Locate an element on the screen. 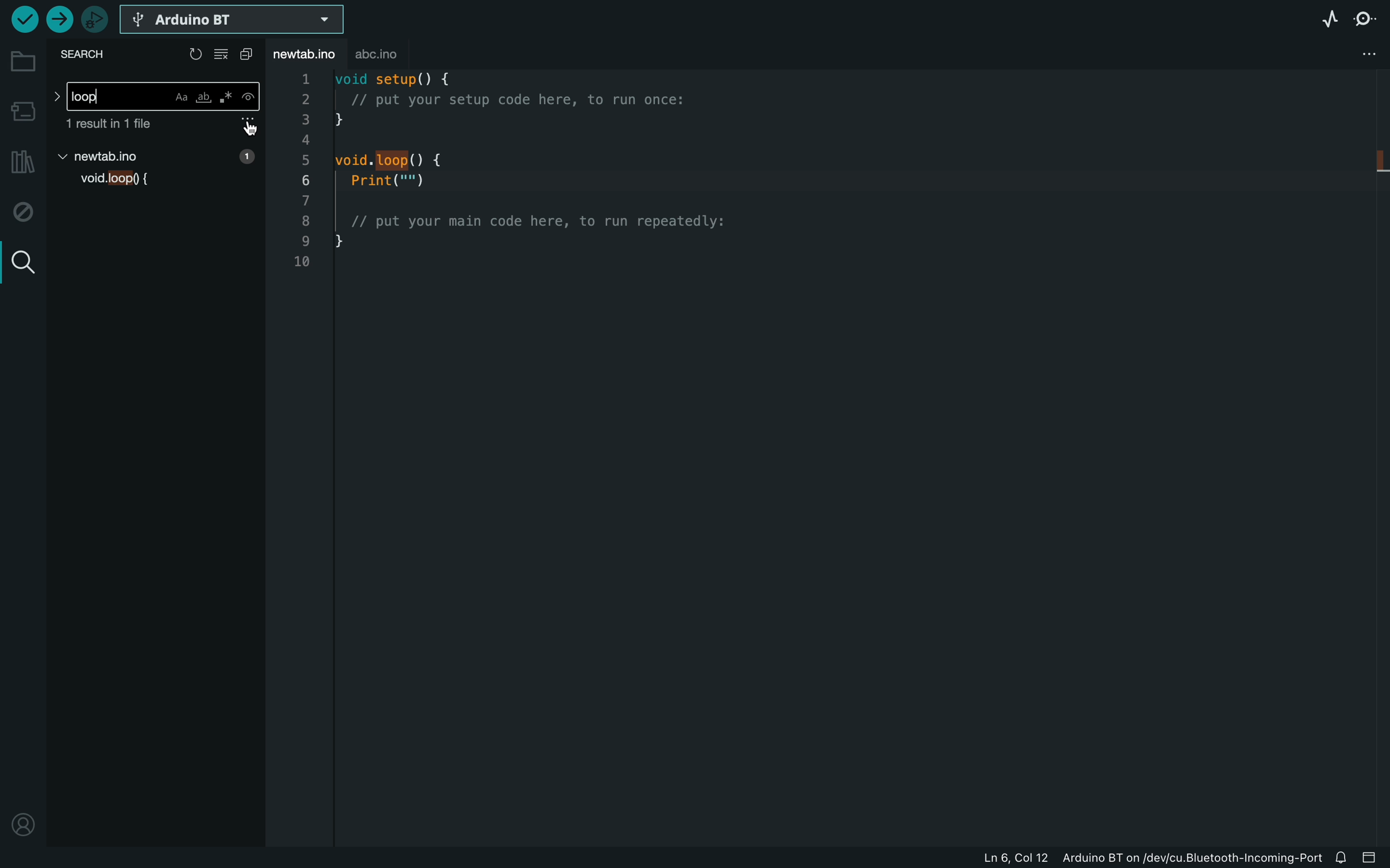  cursor is located at coordinates (252, 129).